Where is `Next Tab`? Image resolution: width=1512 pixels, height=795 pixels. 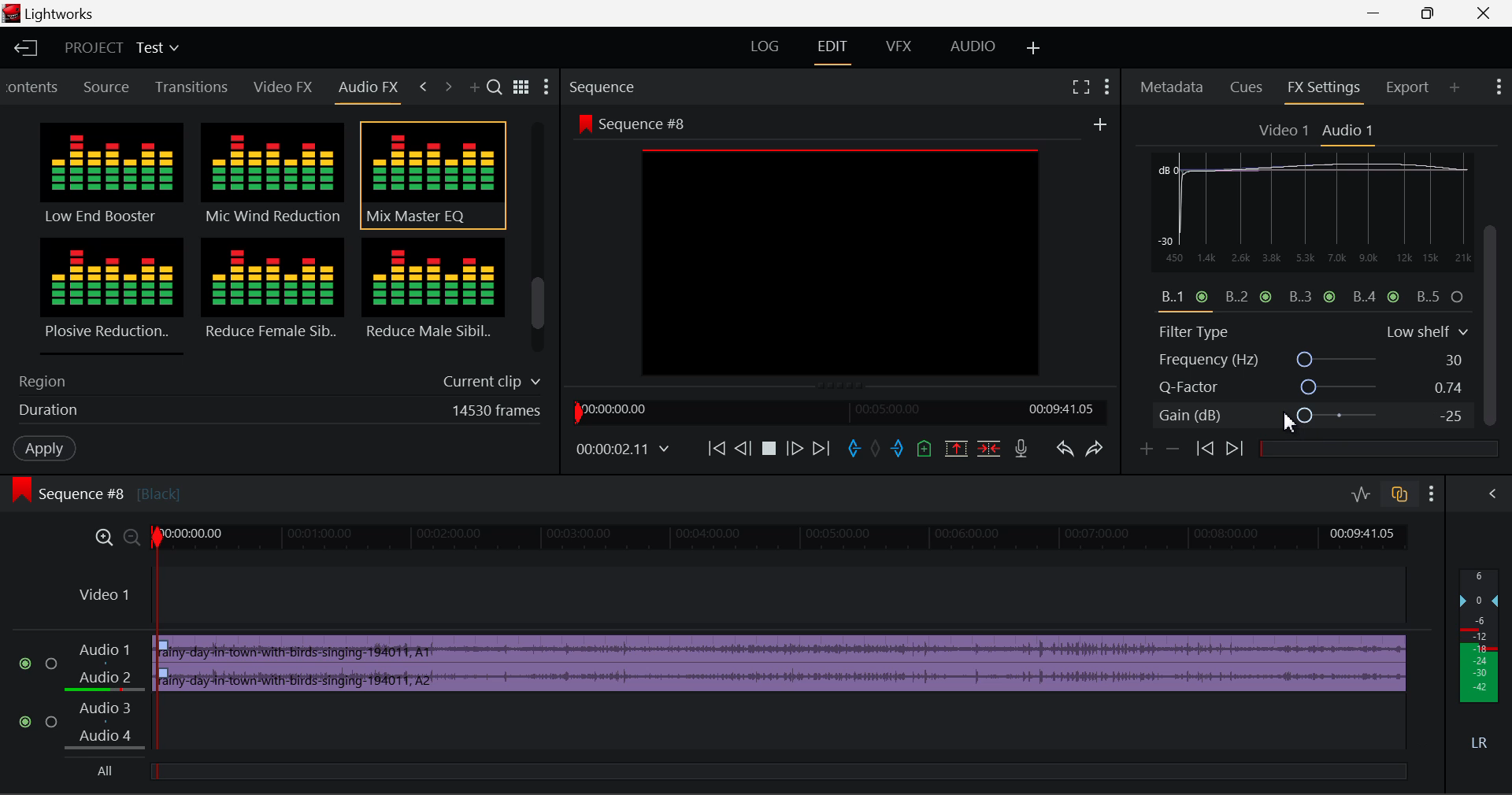
Next Tab is located at coordinates (447, 85).